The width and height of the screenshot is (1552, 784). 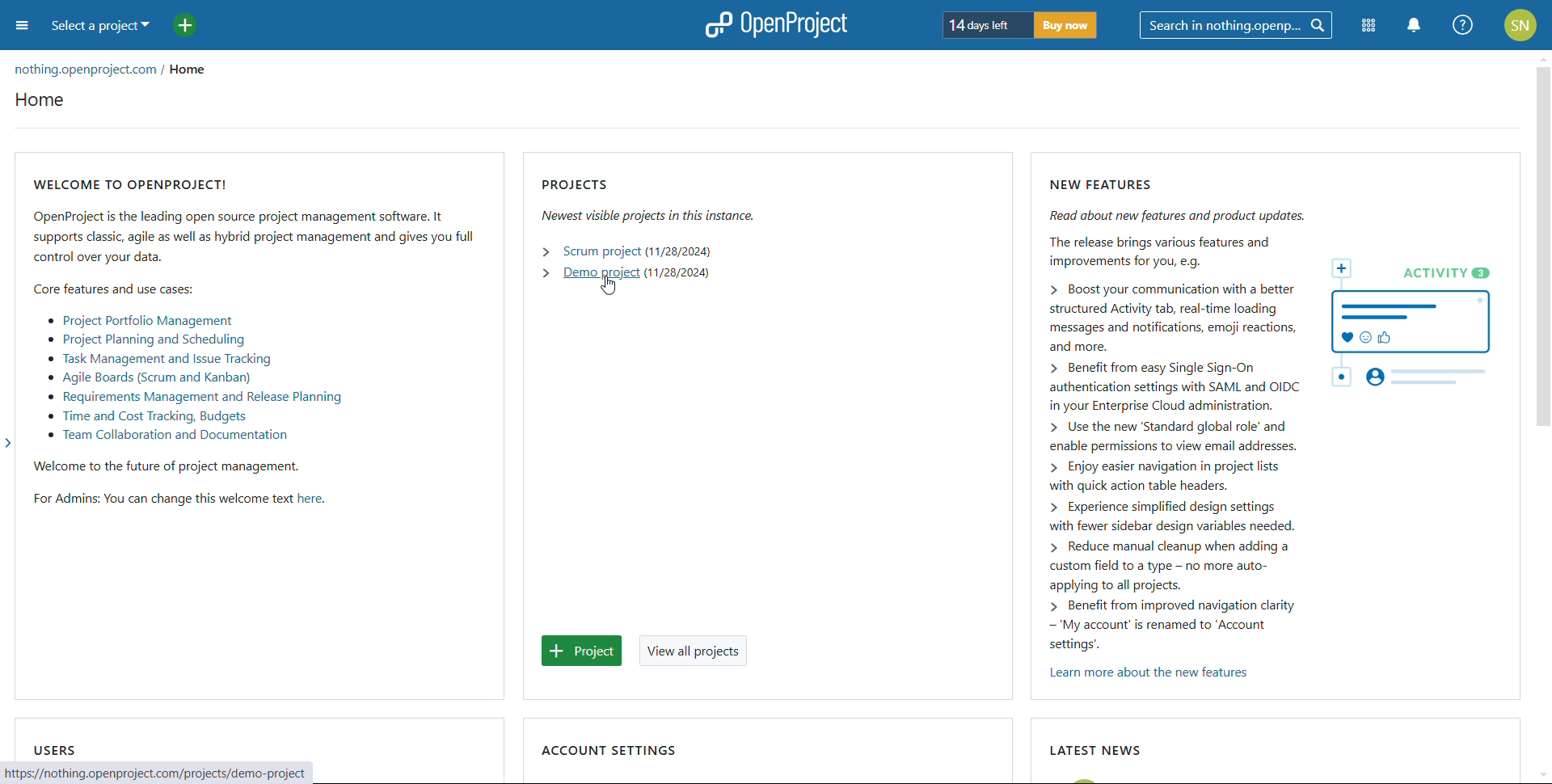 What do you see at coordinates (679, 251) in the screenshot?
I see `start date of scrum project` at bounding box center [679, 251].